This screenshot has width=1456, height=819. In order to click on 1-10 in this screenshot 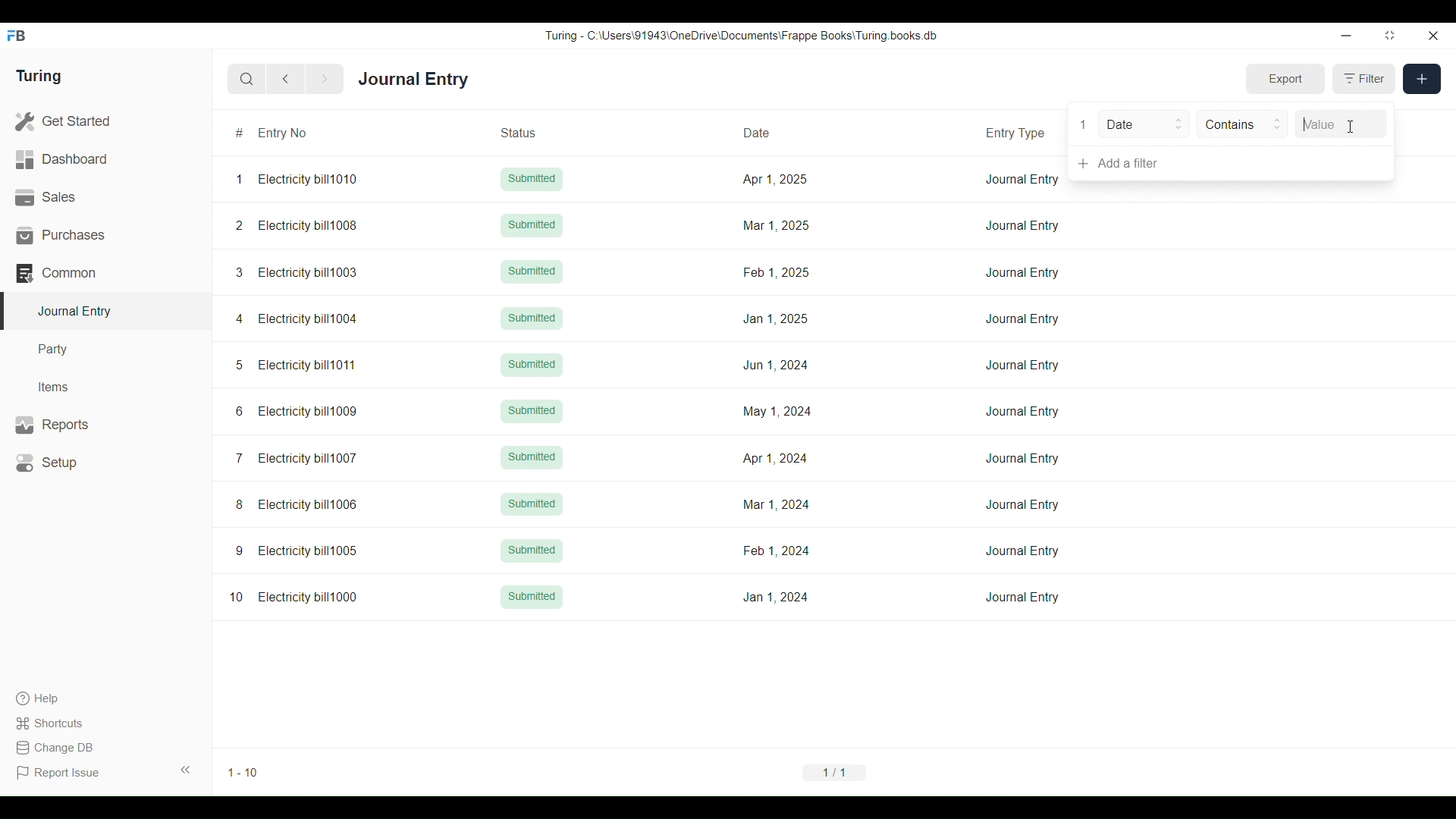, I will do `click(243, 773)`.